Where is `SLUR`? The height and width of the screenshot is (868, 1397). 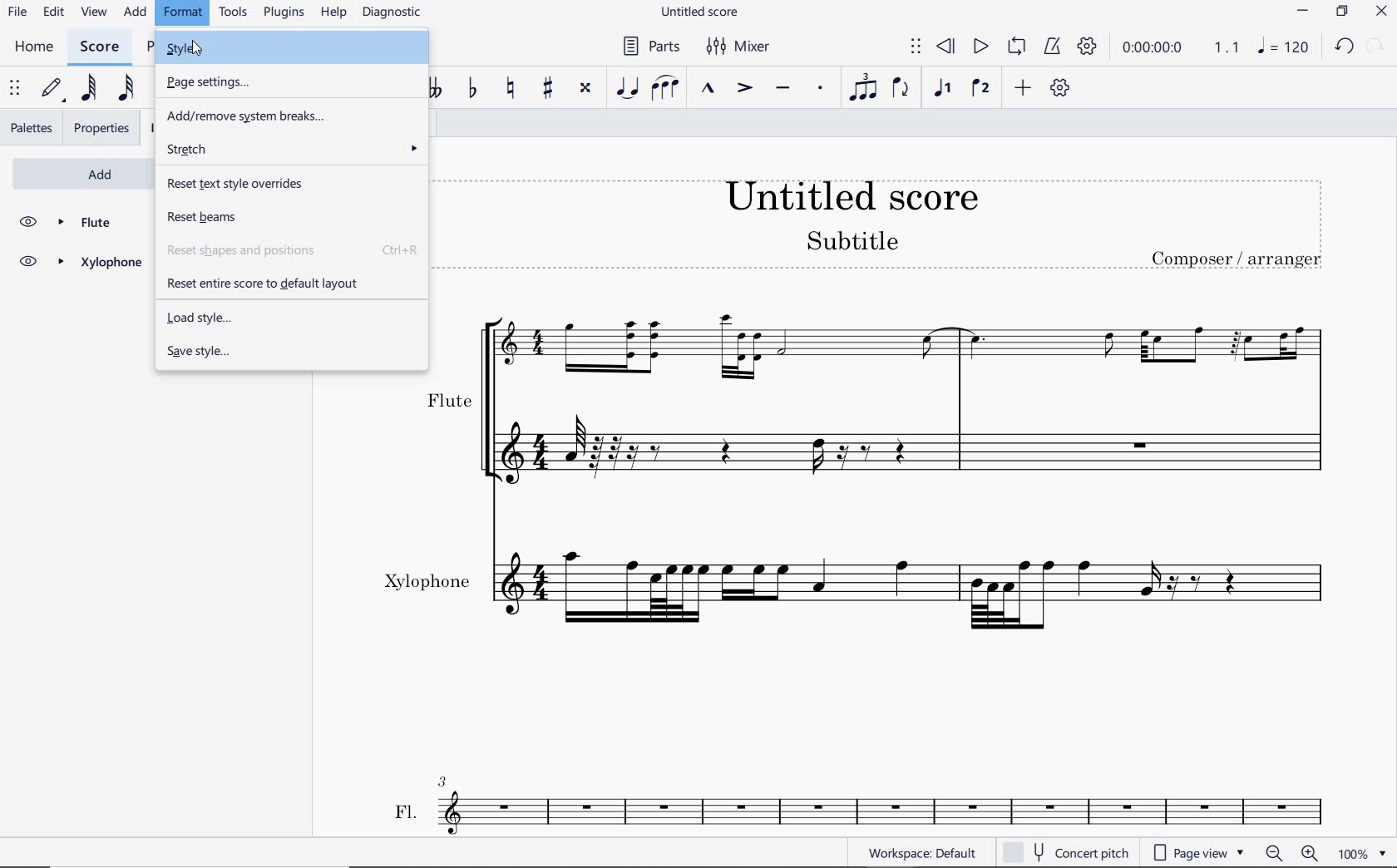 SLUR is located at coordinates (666, 88).